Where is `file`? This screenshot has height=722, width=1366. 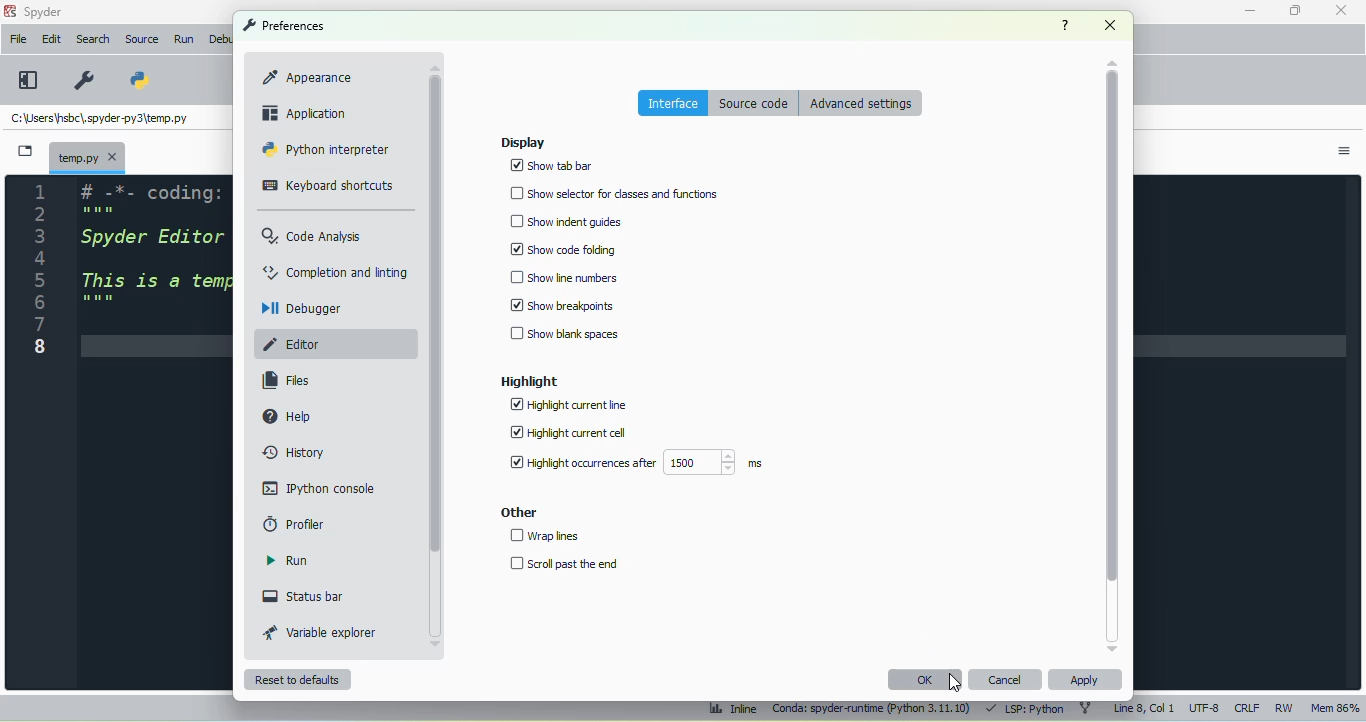
file is located at coordinates (19, 39).